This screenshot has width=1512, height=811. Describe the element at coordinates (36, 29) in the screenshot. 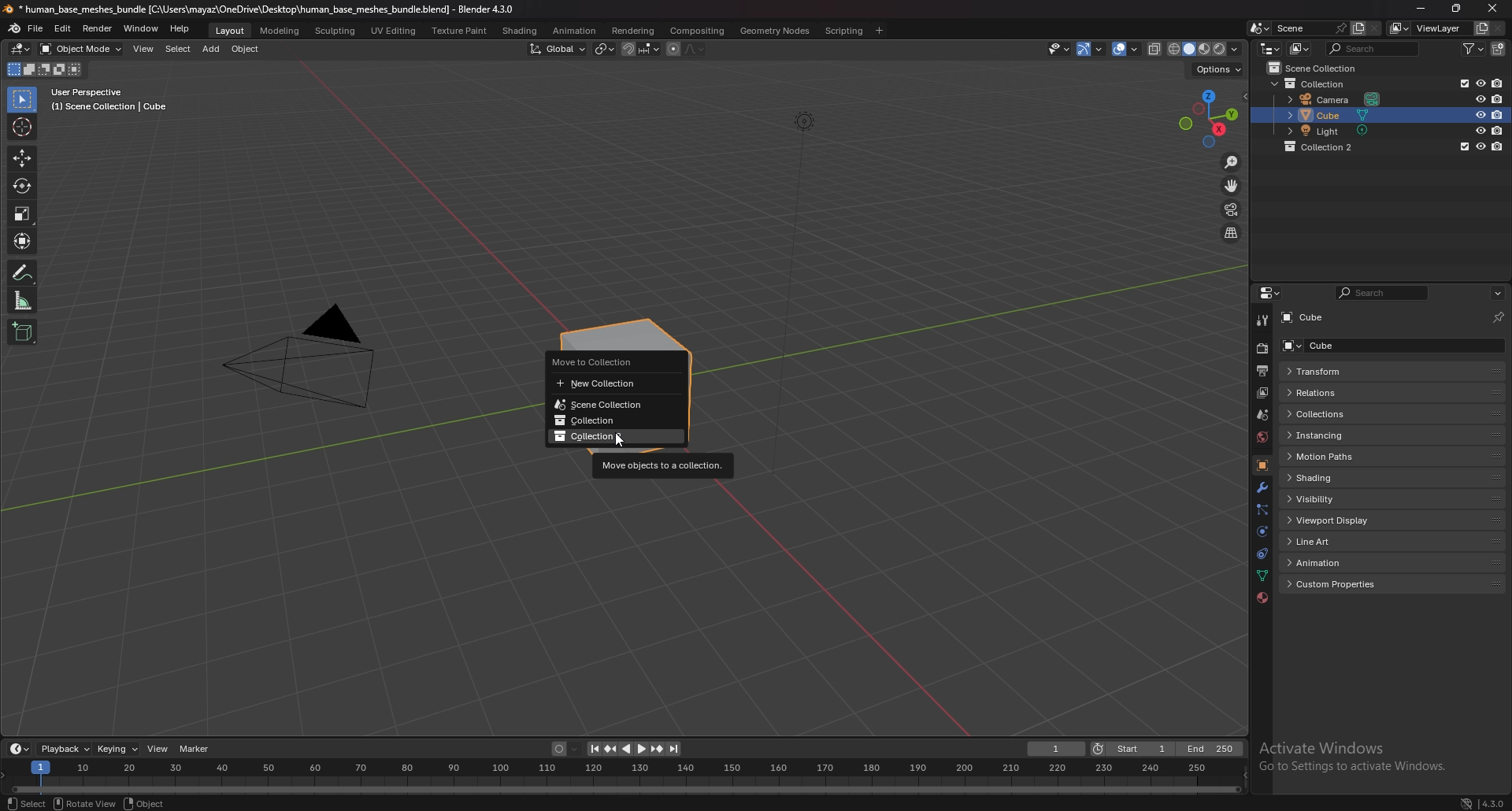

I see `file` at that location.